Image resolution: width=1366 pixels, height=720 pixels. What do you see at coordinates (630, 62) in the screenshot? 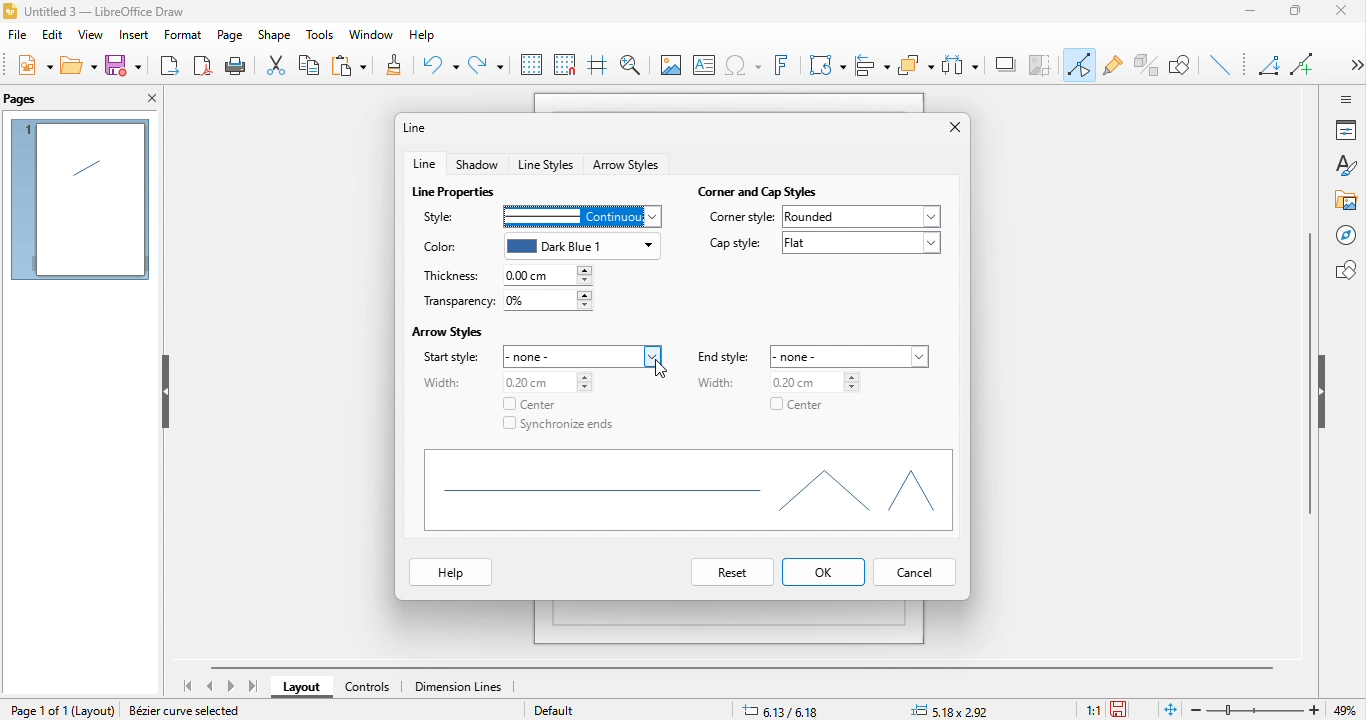
I see `zoom and pan` at bounding box center [630, 62].